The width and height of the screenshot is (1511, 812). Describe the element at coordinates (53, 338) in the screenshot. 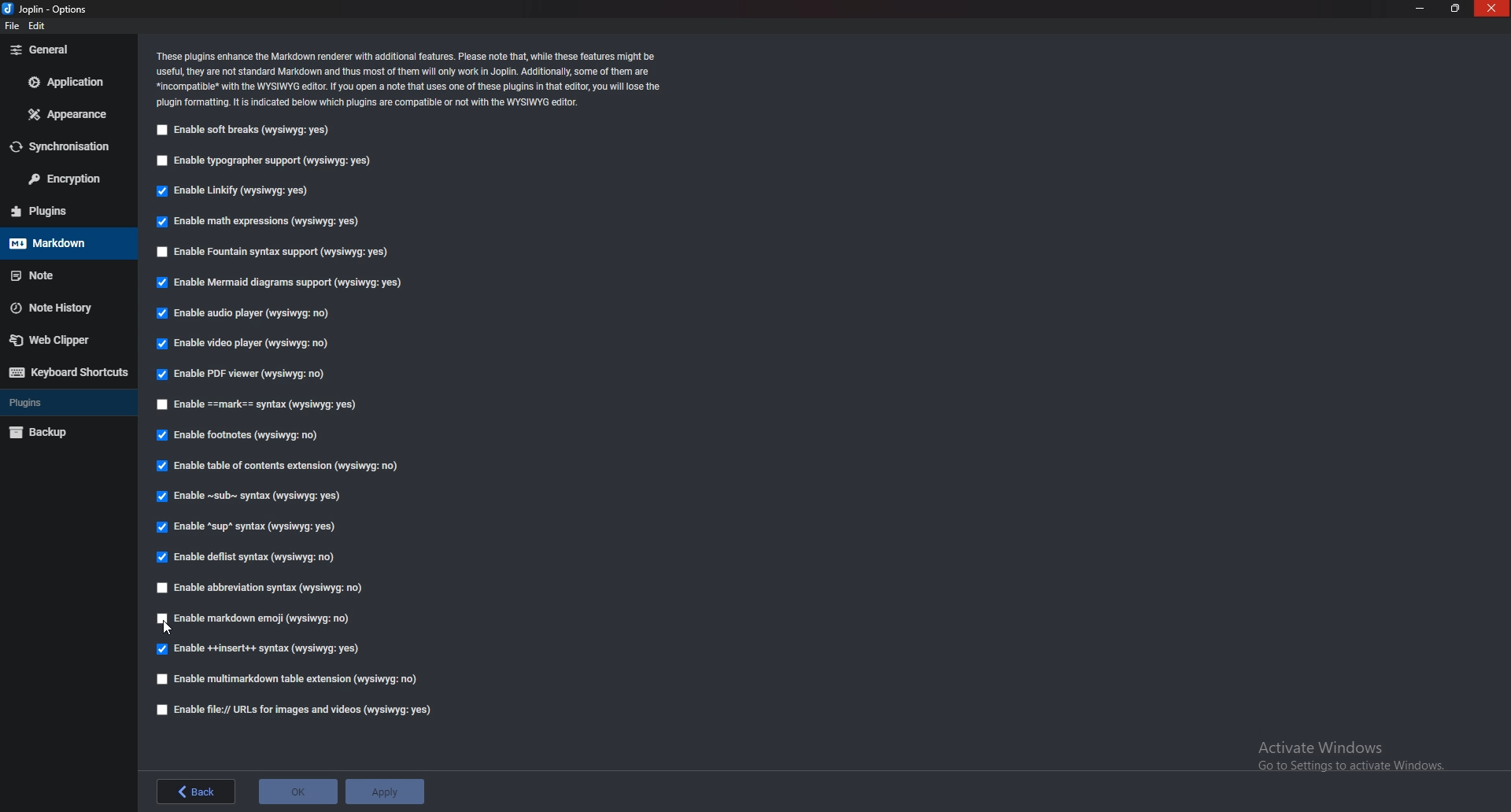

I see `Web clipper` at that location.